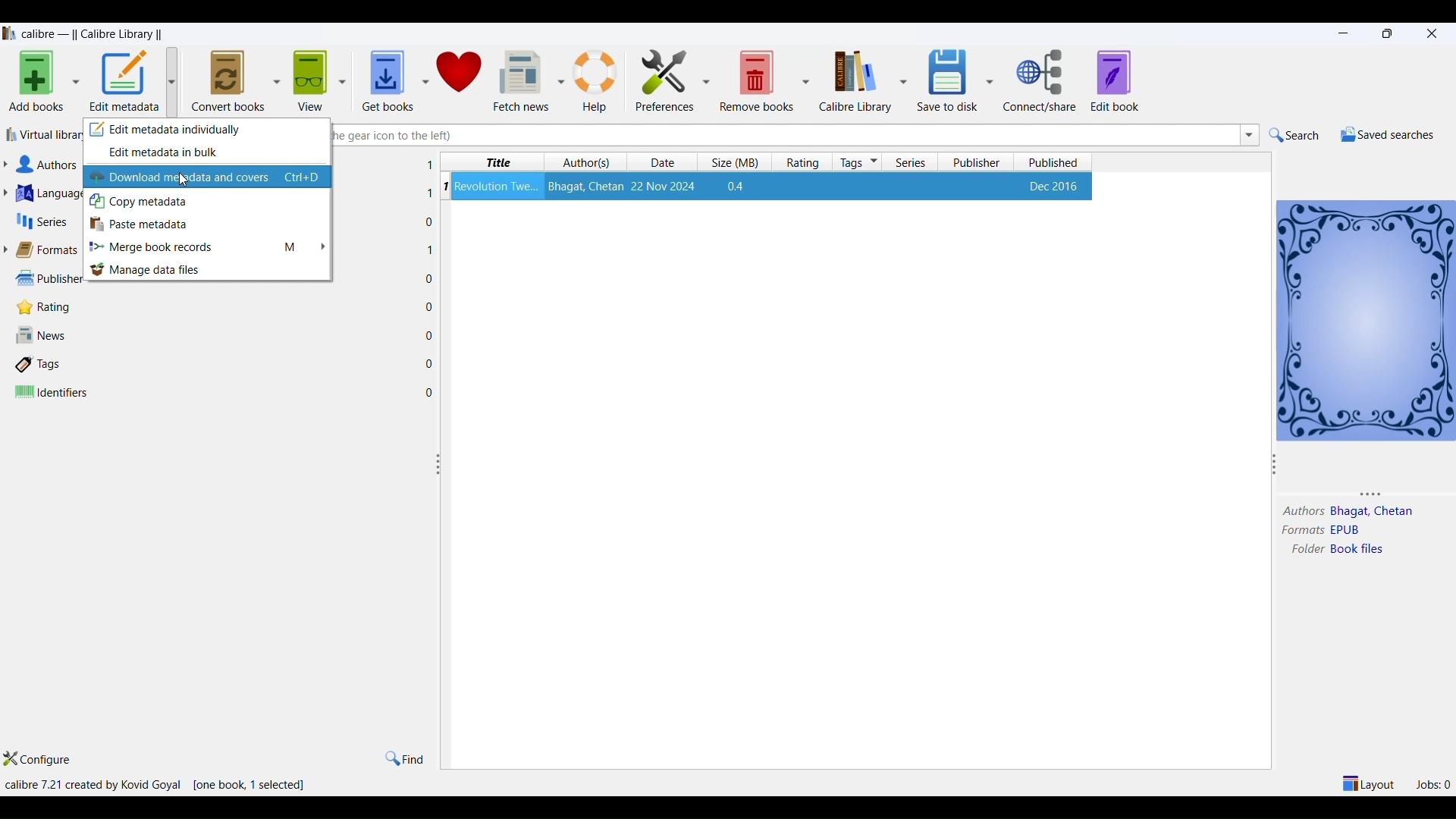 This screenshot has height=819, width=1456. What do you see at coordinates (78, 81) in the screenshot?
I see `add books option metadata` at bounding box center [78, 81].